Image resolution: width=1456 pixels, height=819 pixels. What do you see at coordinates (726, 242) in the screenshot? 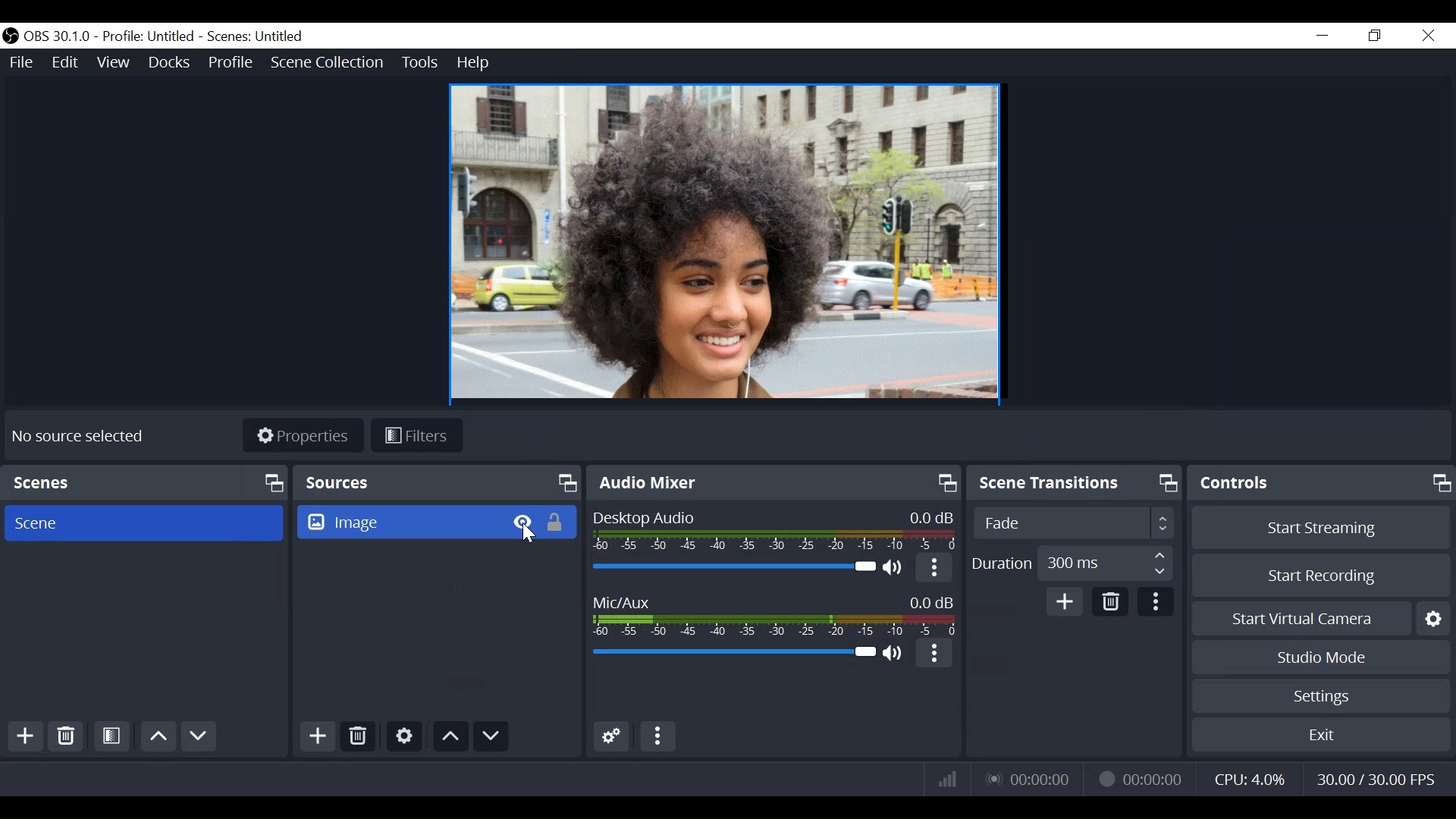
I see `Preview` at bounding box center [726, 242].